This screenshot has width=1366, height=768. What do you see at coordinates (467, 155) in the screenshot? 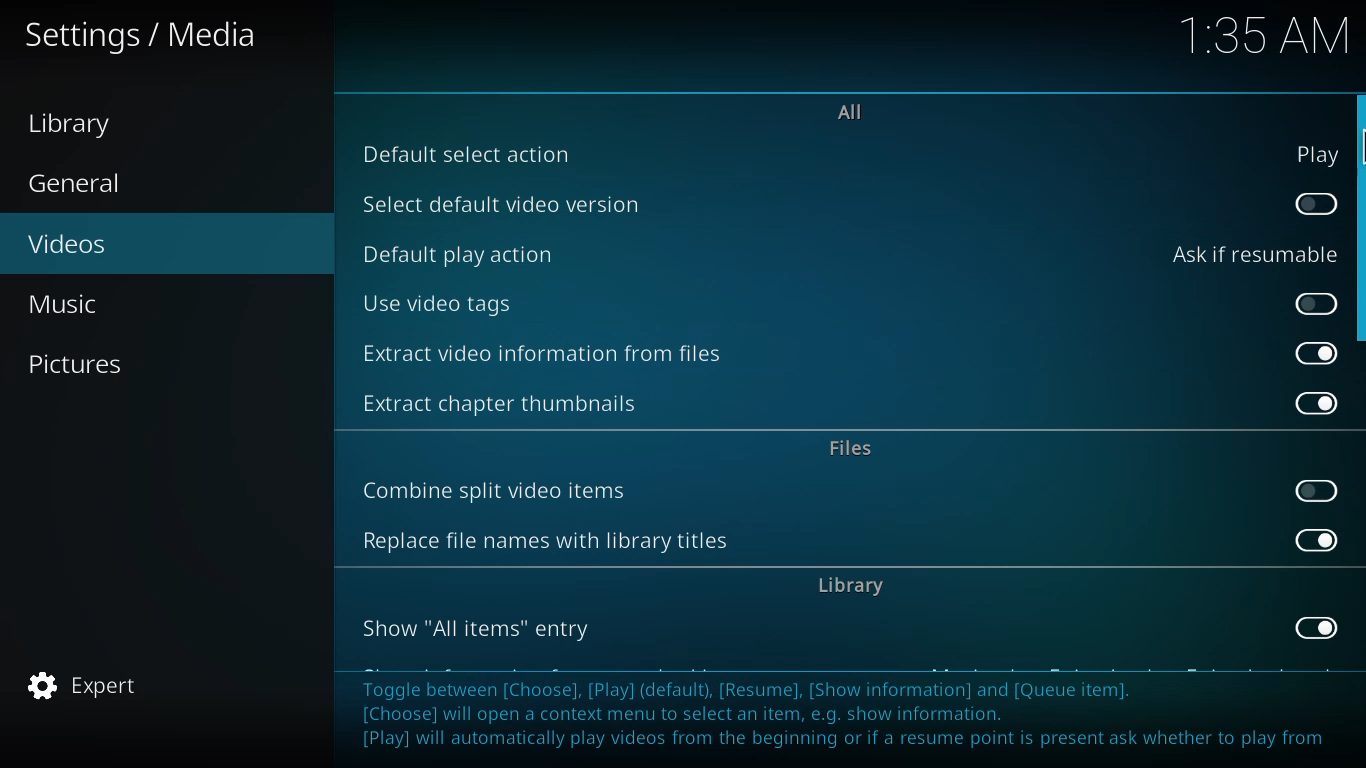
I see `default select action` at bounding box center [467, 155].